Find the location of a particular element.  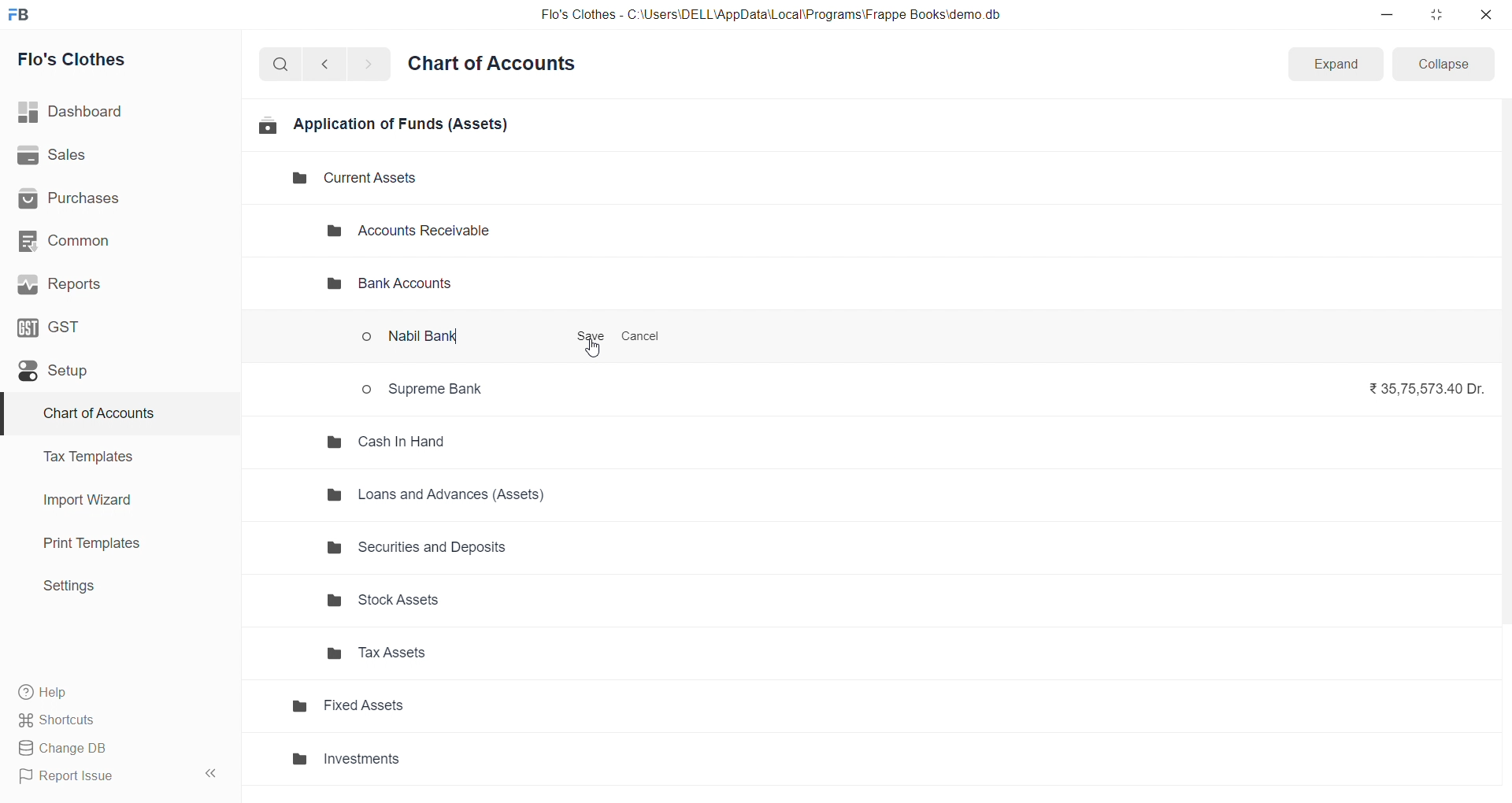

Supreme Bank is located at coordinates (428, 388).